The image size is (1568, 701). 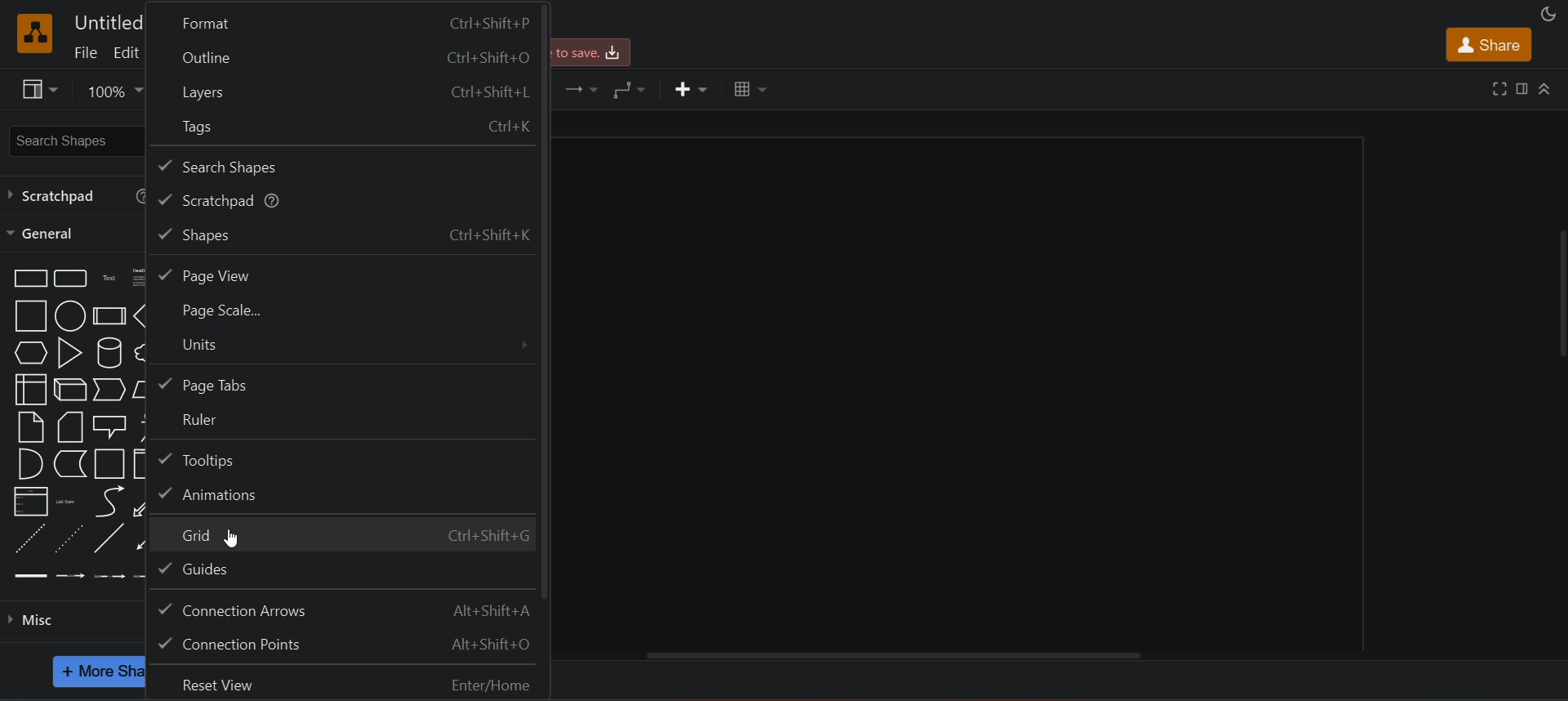 I want to click on insert, so click(x=693, y=88).